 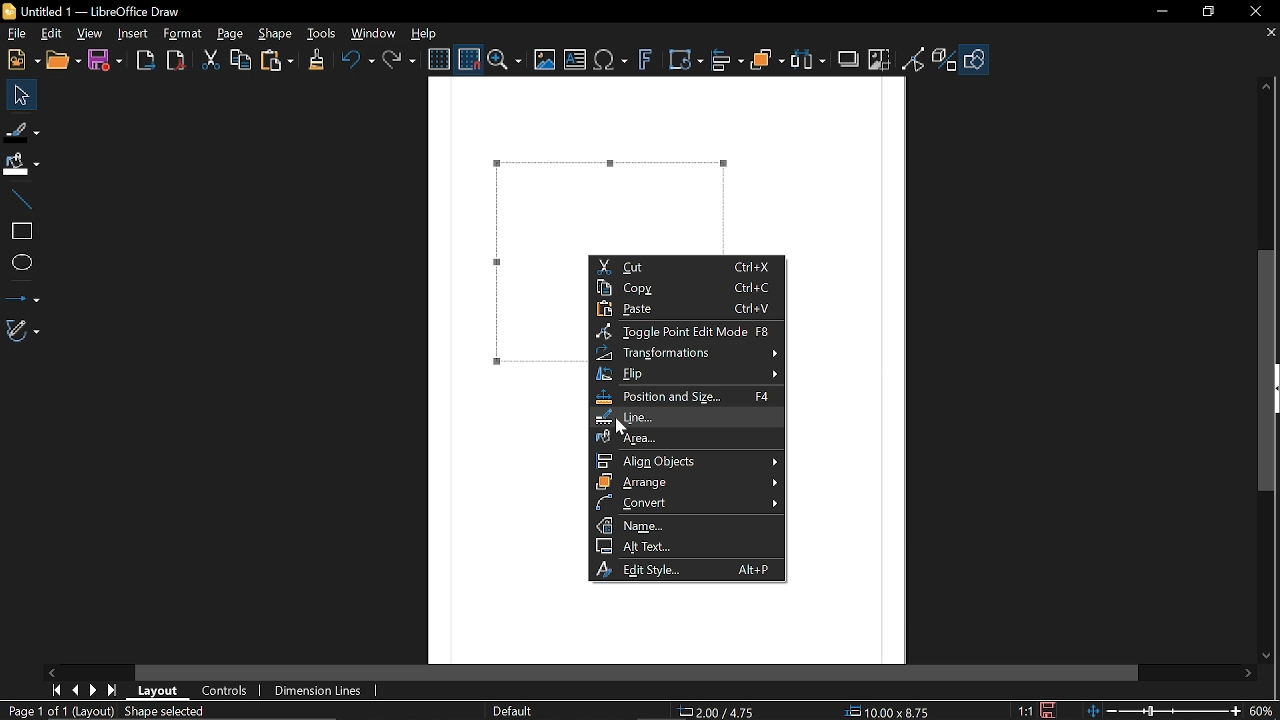 I want to click on Position, so click(x=720, y=712).